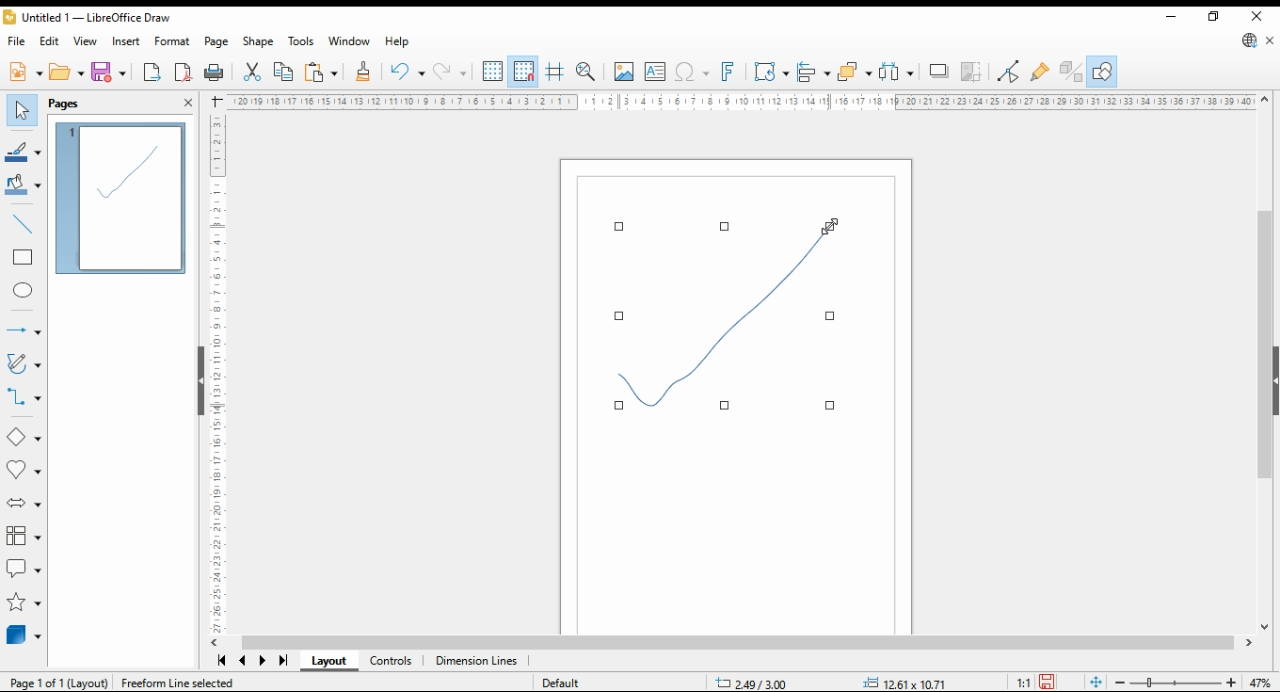 This screenshot has height=692, width=1280. What do you see at coordinates (814, 72) in the screenshot?
I see `align objects` at bounding box center [814, 72].